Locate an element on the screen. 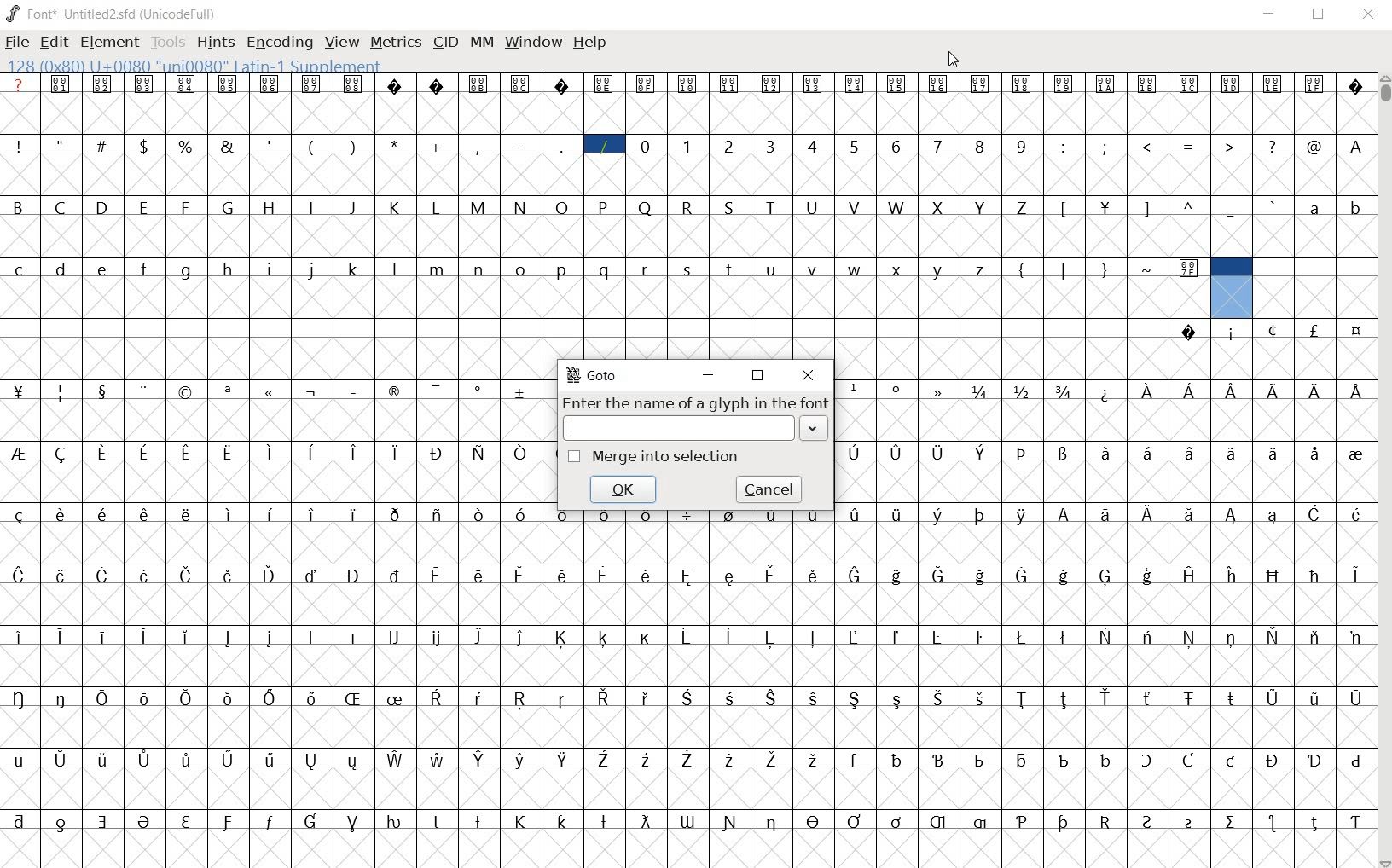  Symbol is located at coordinates (563, 512).